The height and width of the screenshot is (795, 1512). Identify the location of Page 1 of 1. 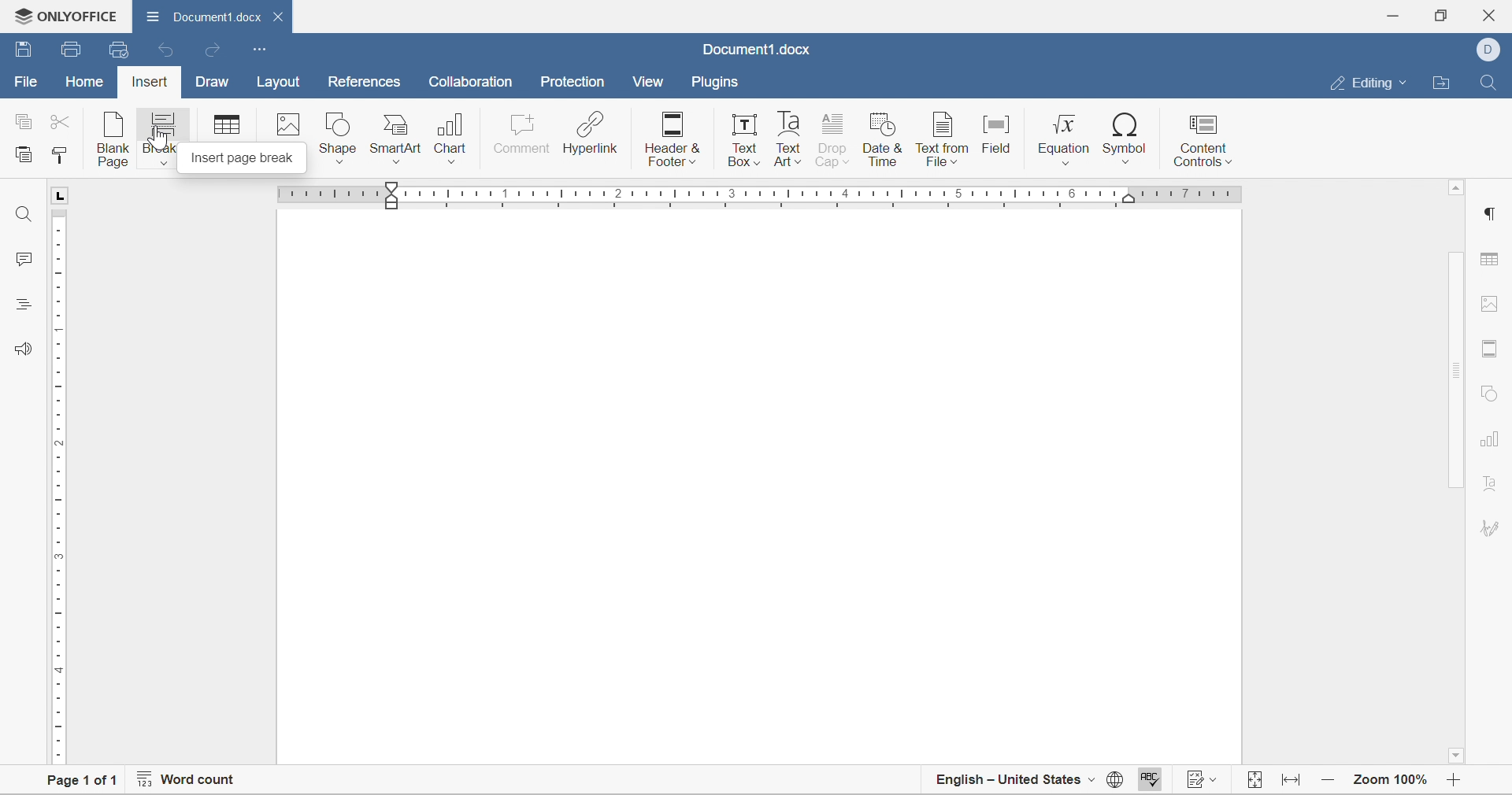
(83, 782).